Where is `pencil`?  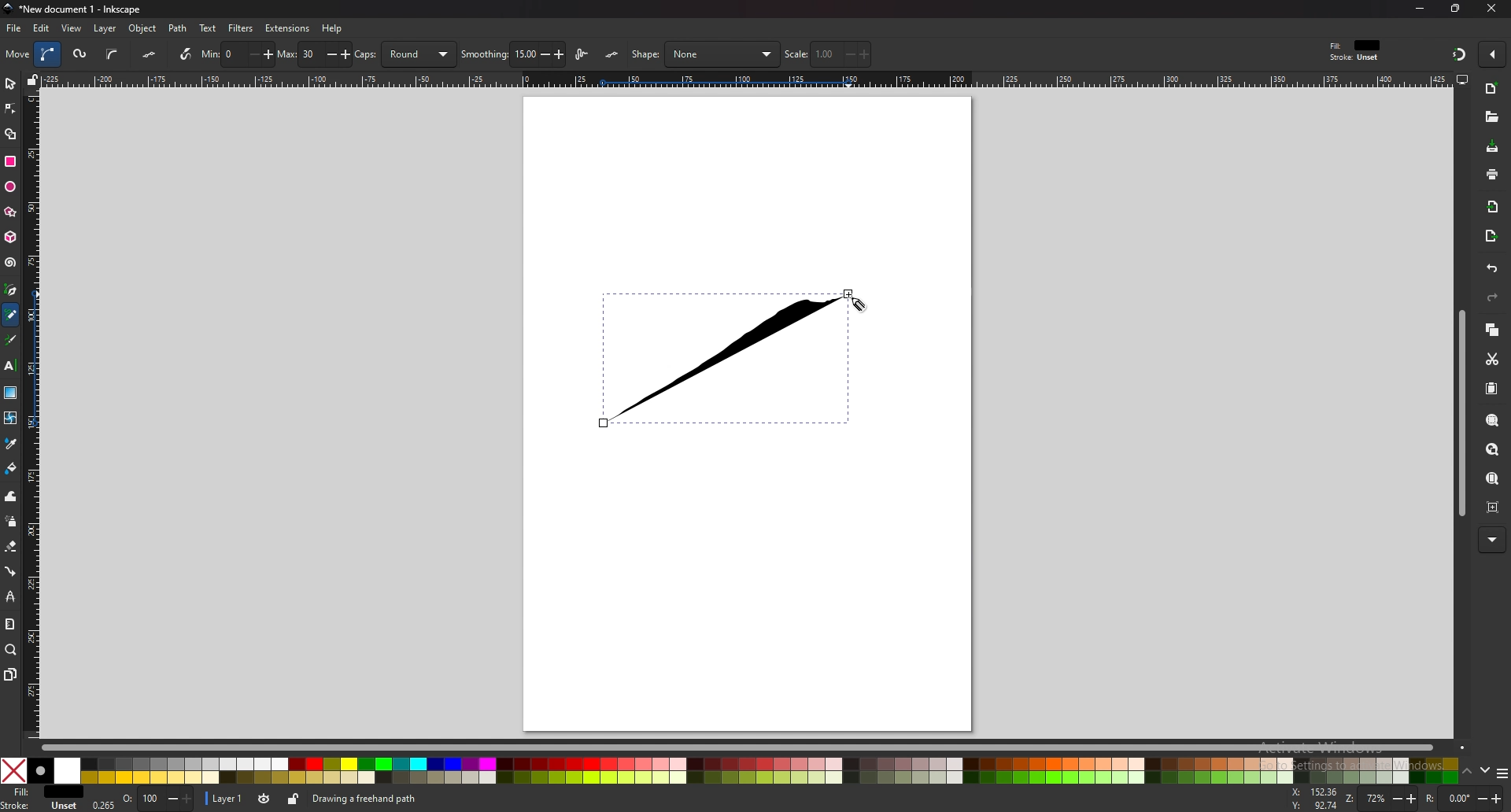
pencil is located at coordinates (10, 317).